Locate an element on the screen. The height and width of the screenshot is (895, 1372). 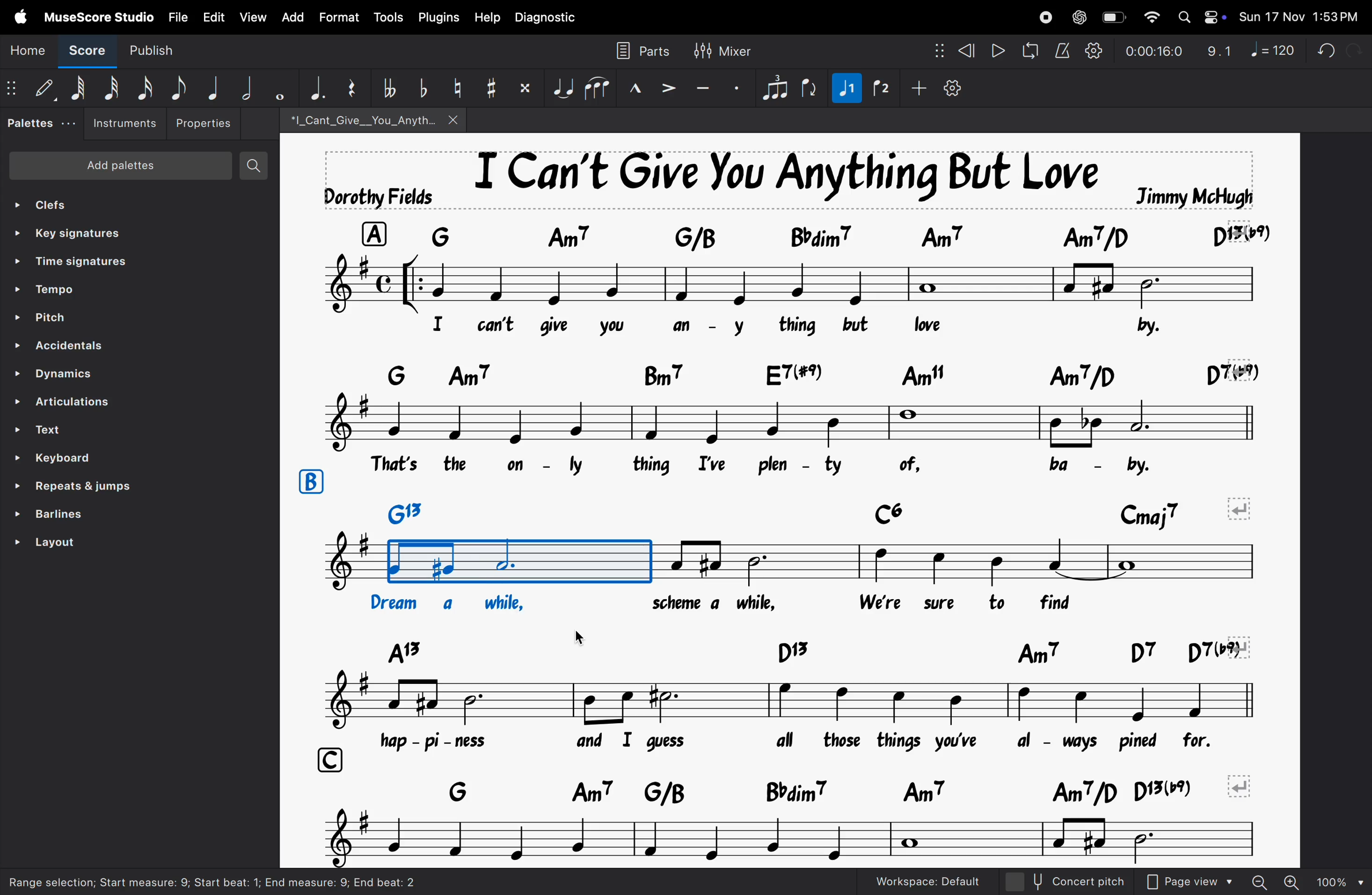
notes is located at coordinates (784, 420).